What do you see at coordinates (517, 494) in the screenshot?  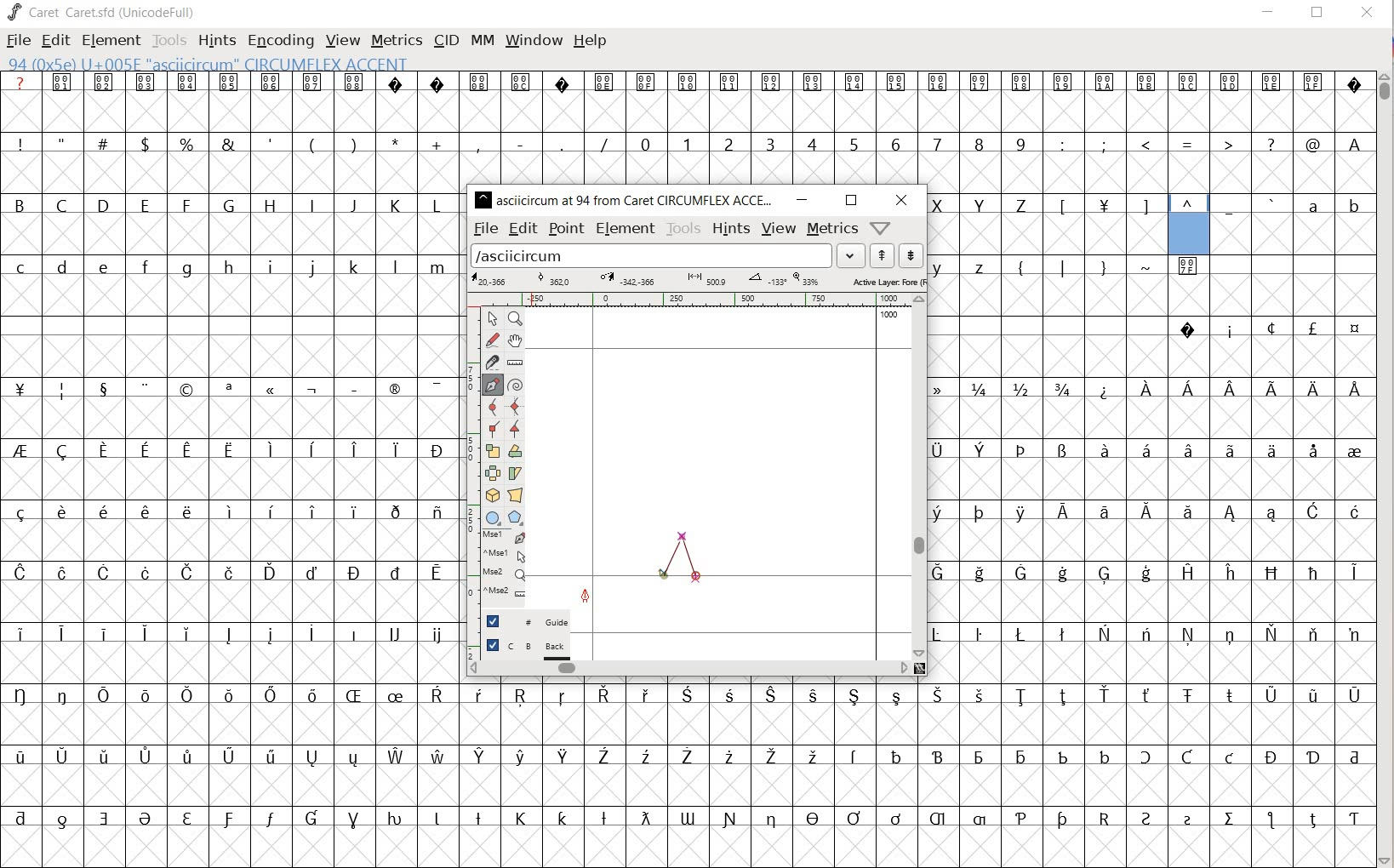 I see `perform a perspective transformation on the selection` at bounding box center [517, 494].